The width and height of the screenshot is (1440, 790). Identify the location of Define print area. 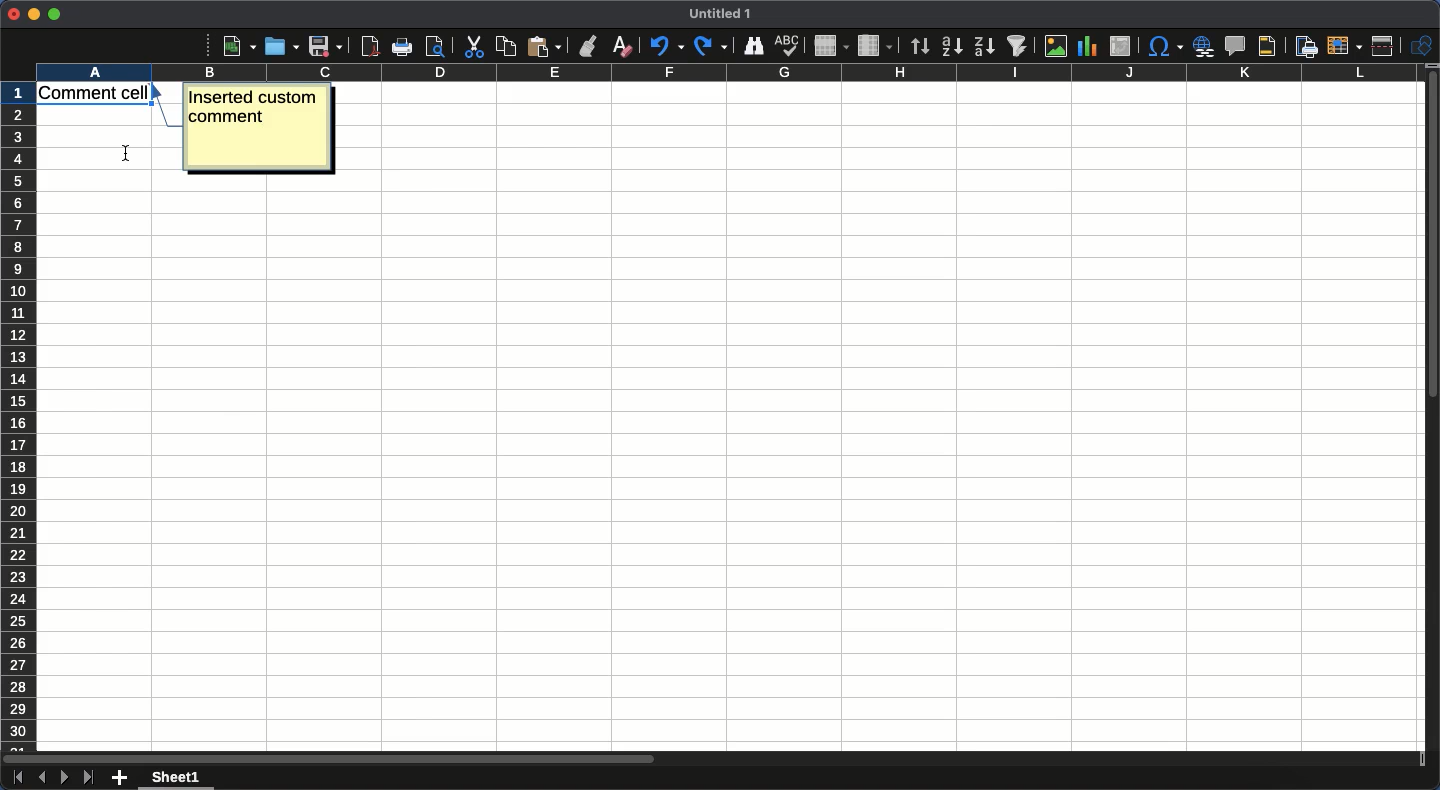
(1306, 46).